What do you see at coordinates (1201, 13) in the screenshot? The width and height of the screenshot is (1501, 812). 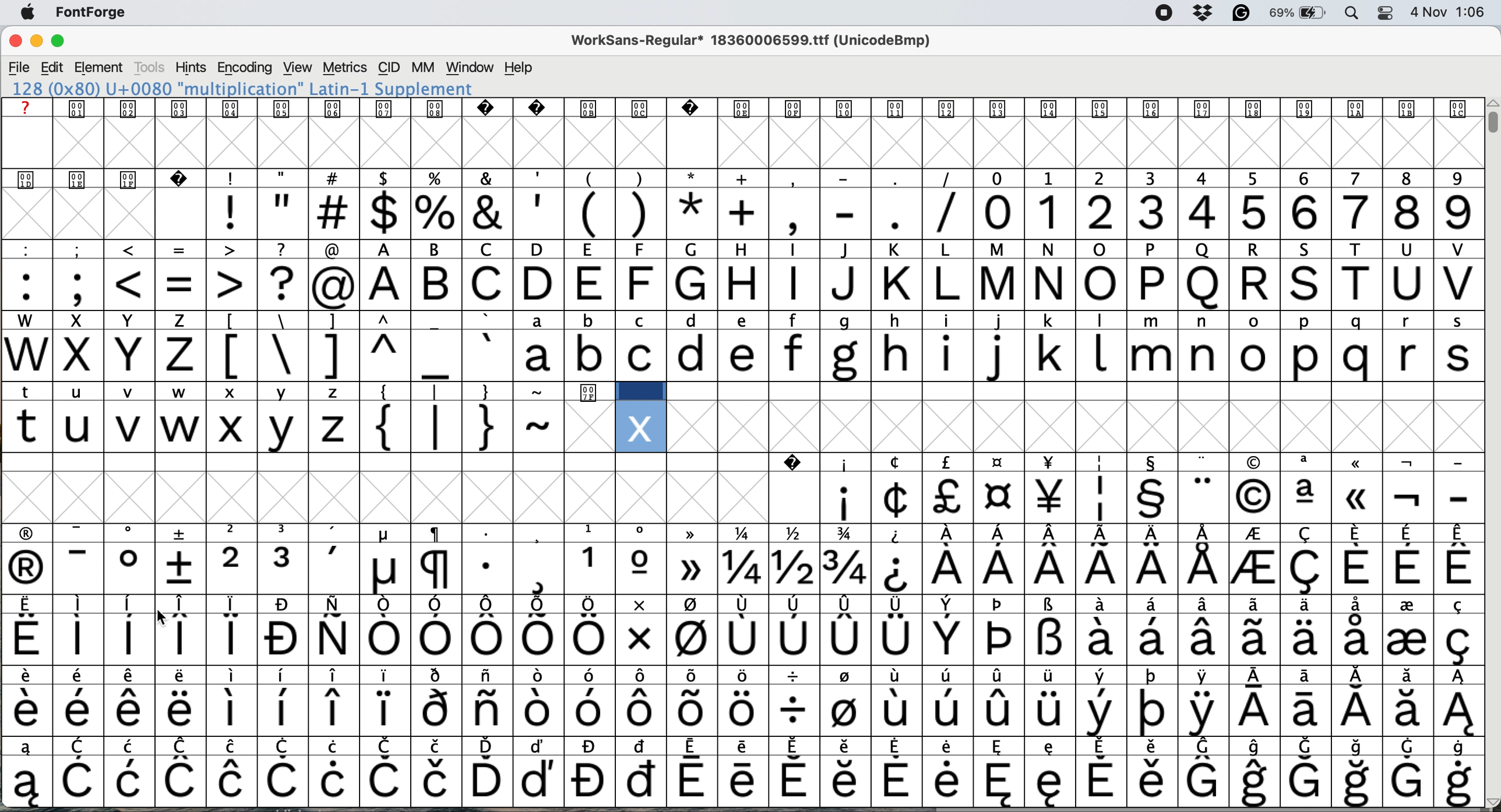 I see `dropbox` at bounding box center [1201, 13].